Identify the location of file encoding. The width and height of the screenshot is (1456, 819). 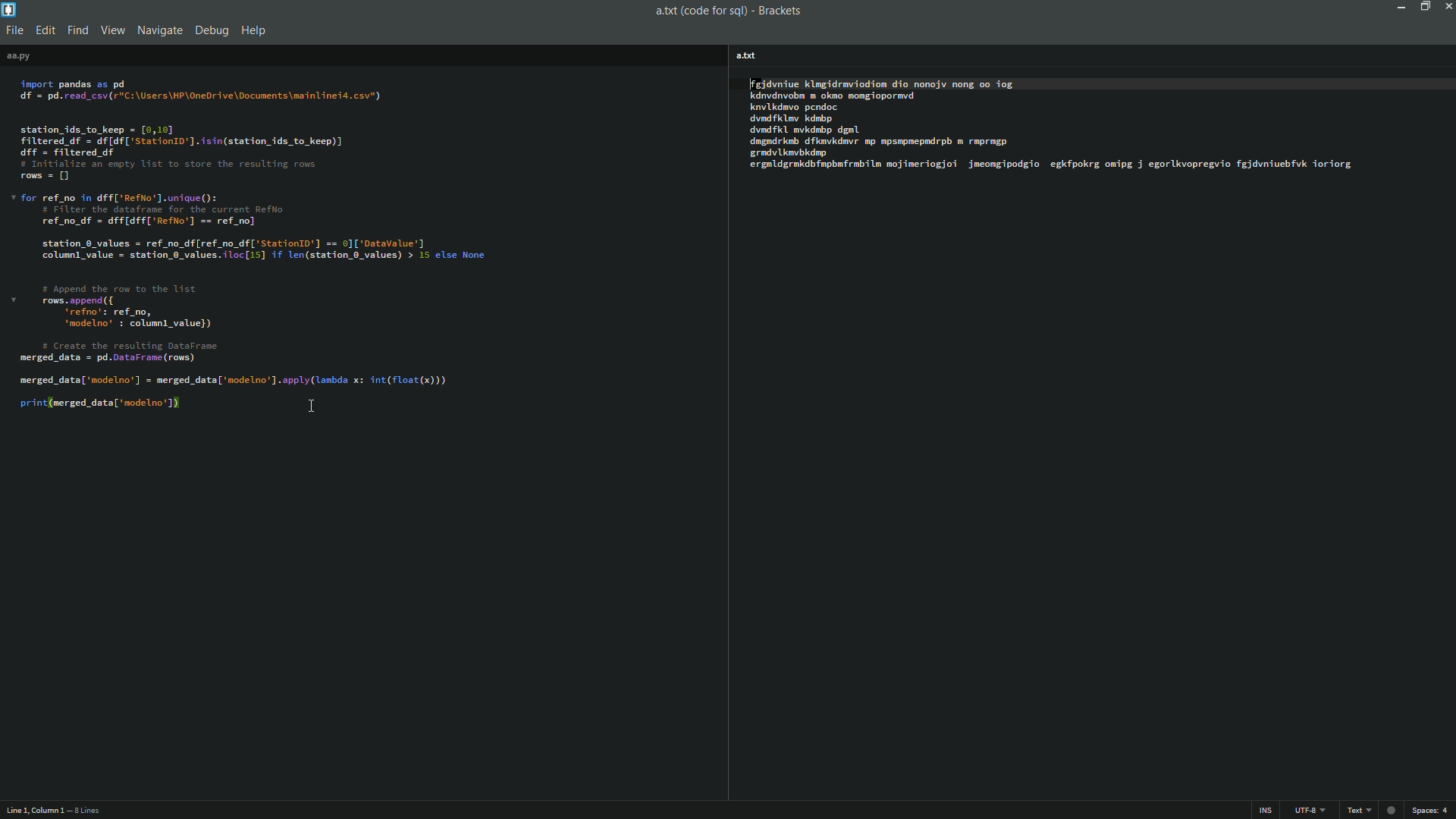
(1295, 809).